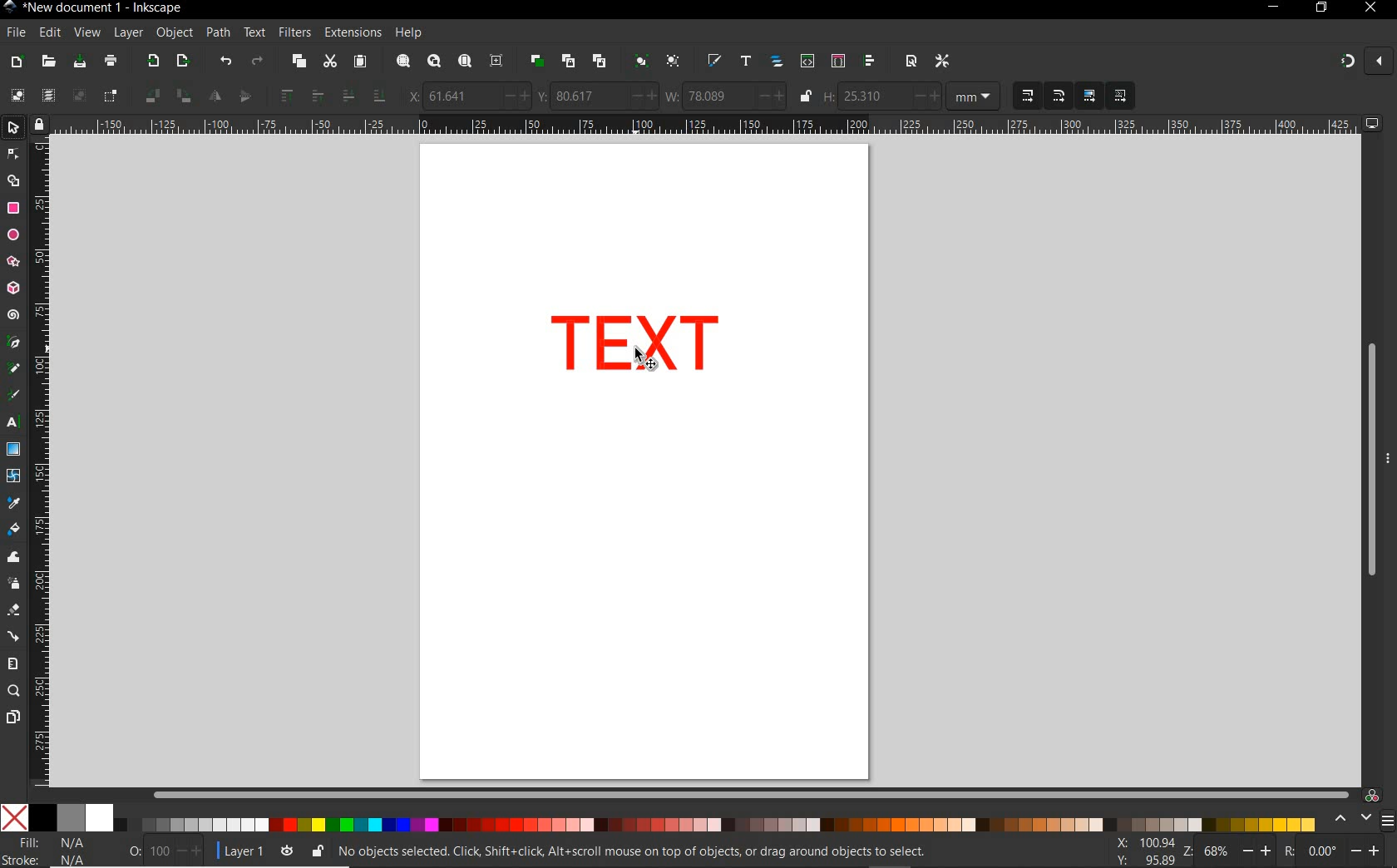 This screenshot has width=1397, height=868. I want to click on open export, so click(182, 62).